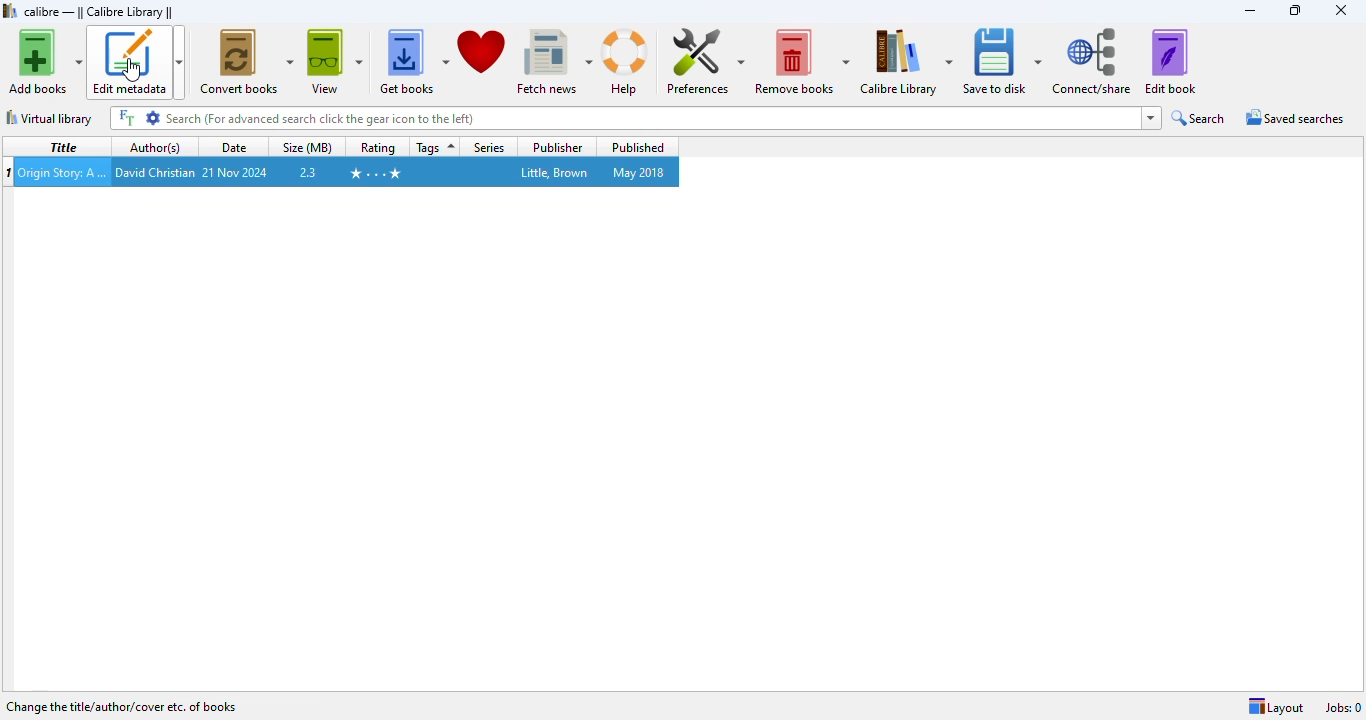  What do you see at coordinates (335, 62) in the screenshot?
I see `view` at bounding box center [335, 62].